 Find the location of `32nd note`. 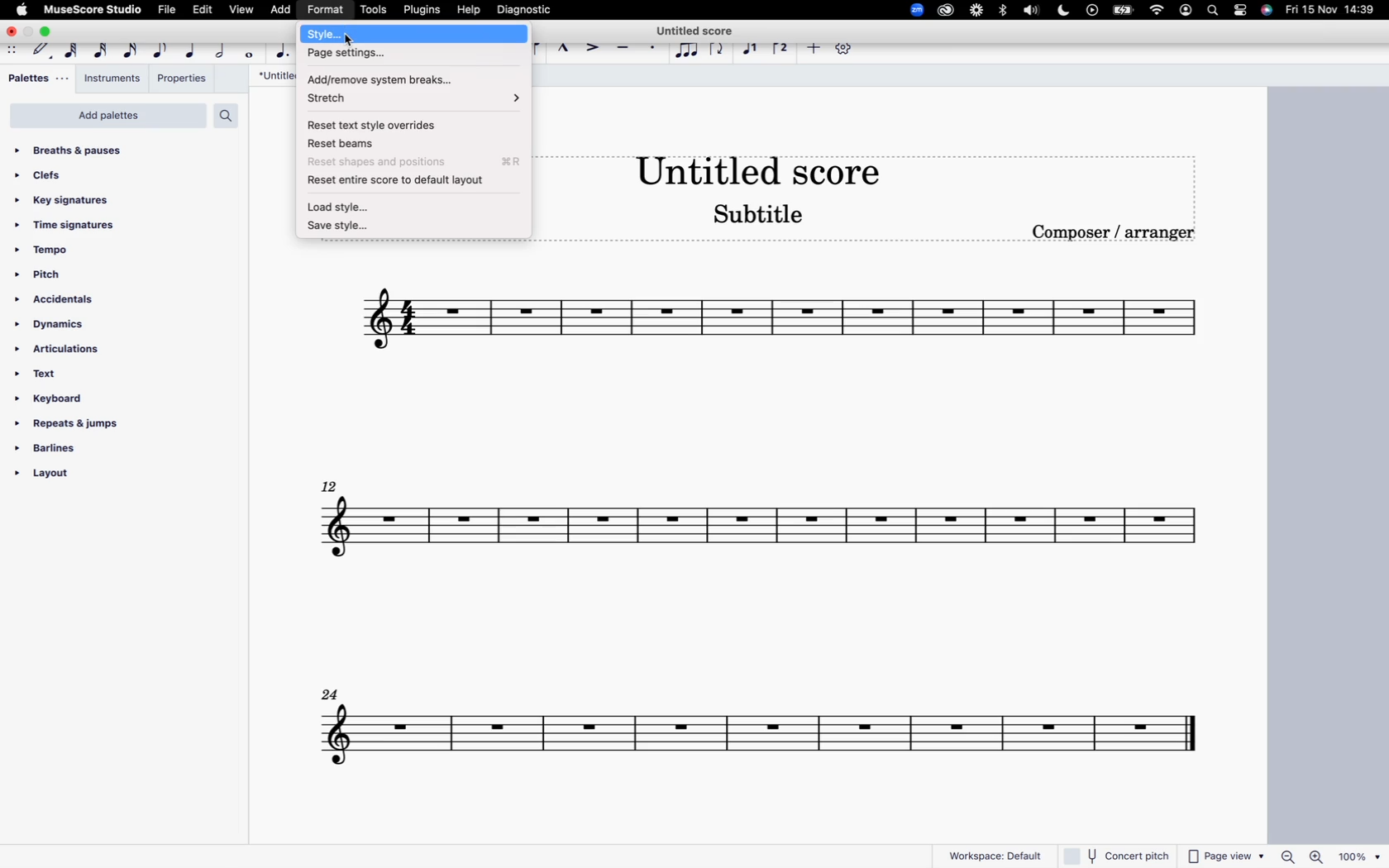

32nd note is located at coordinates (102, 51).